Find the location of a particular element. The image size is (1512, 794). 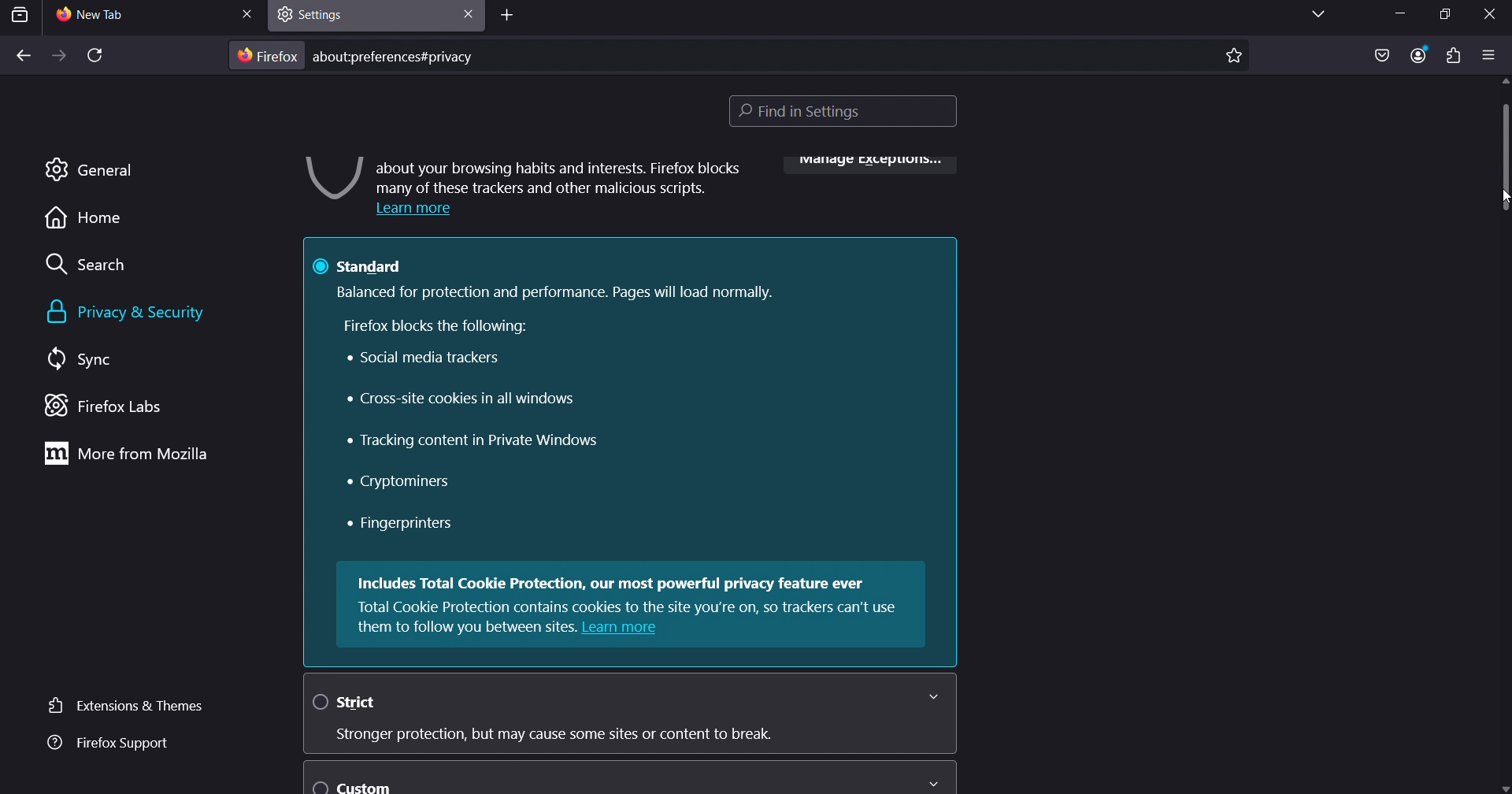

them to follow you between sites. is located at coordinates (466, 629).